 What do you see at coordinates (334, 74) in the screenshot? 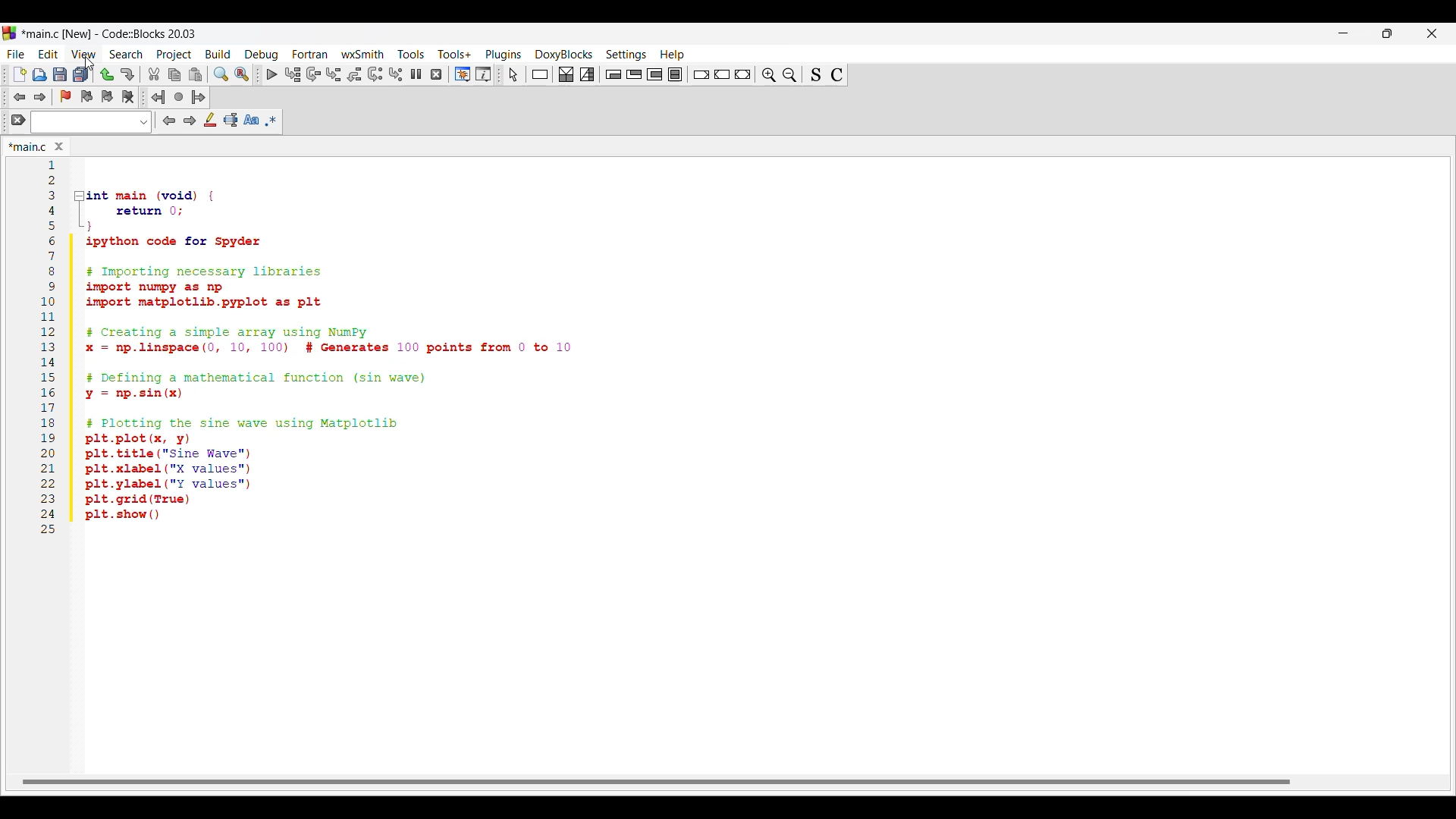
I see `Step into` at bounding box center [334, 74].